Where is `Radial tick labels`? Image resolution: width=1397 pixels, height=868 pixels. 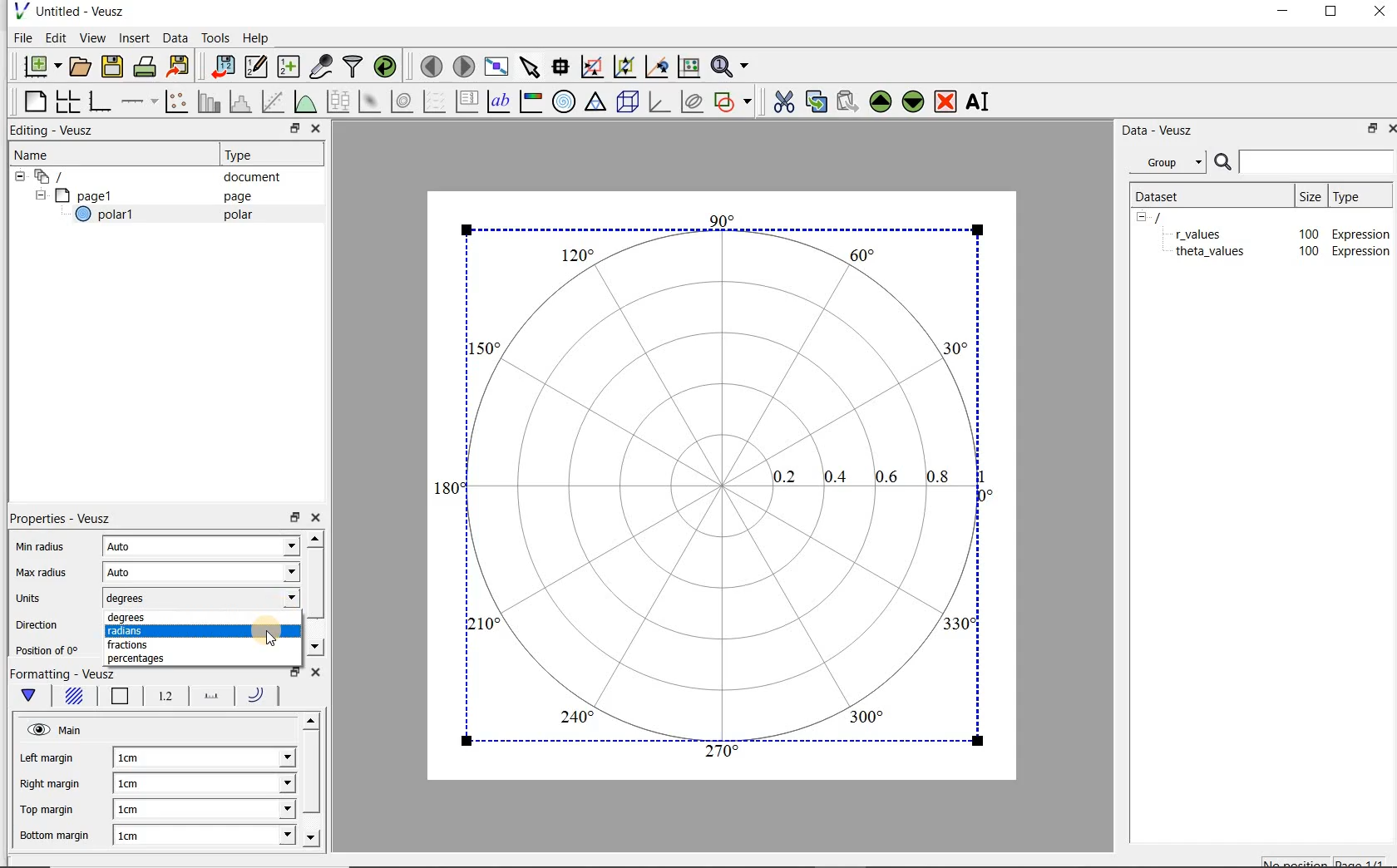
Radial tick labels is located at coordinates (166, 698).